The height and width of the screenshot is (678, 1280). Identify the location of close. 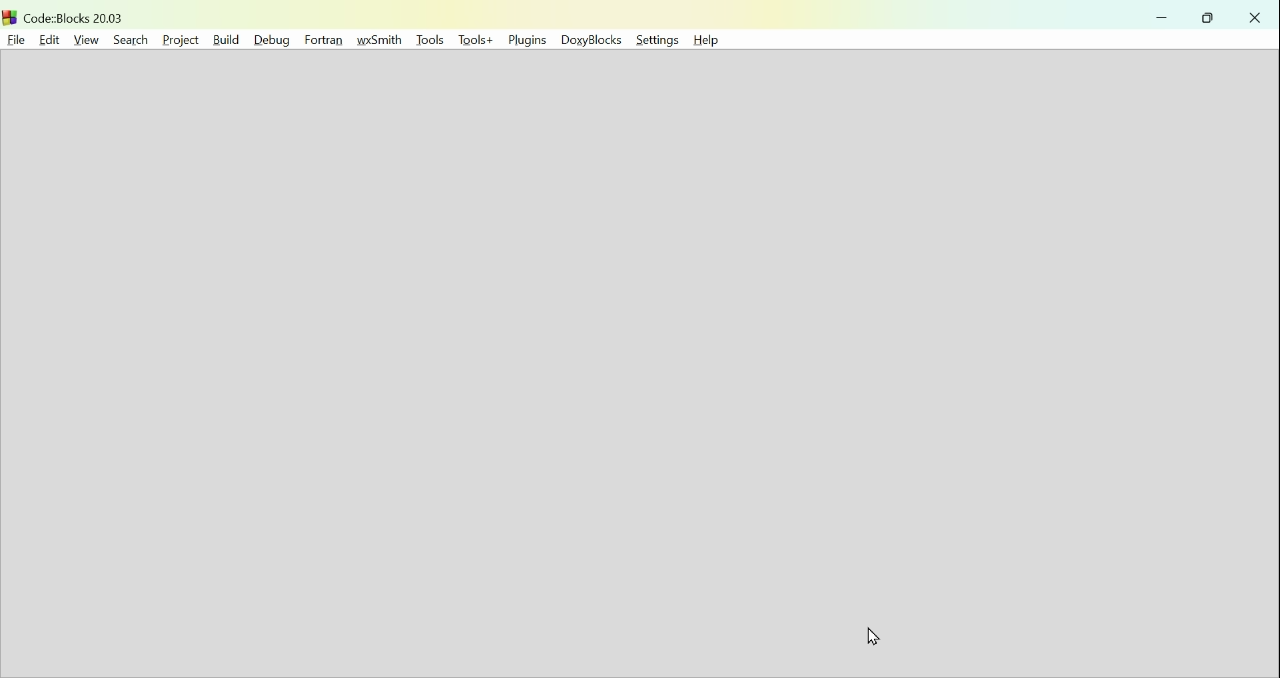
(1255, 17).